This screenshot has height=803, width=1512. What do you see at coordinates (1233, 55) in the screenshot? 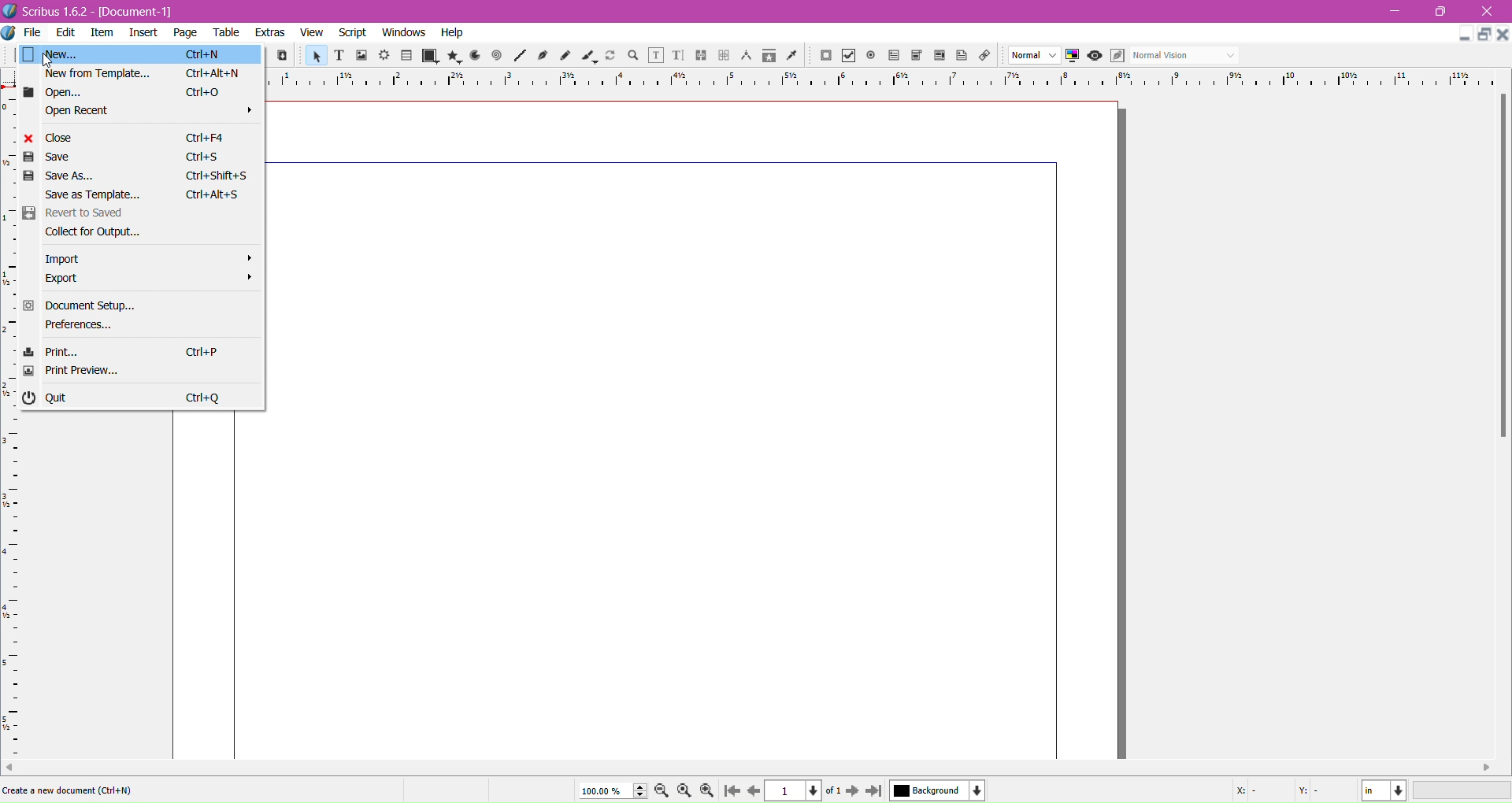
I see `Drop down menu` at bounding box center [1233, 55].